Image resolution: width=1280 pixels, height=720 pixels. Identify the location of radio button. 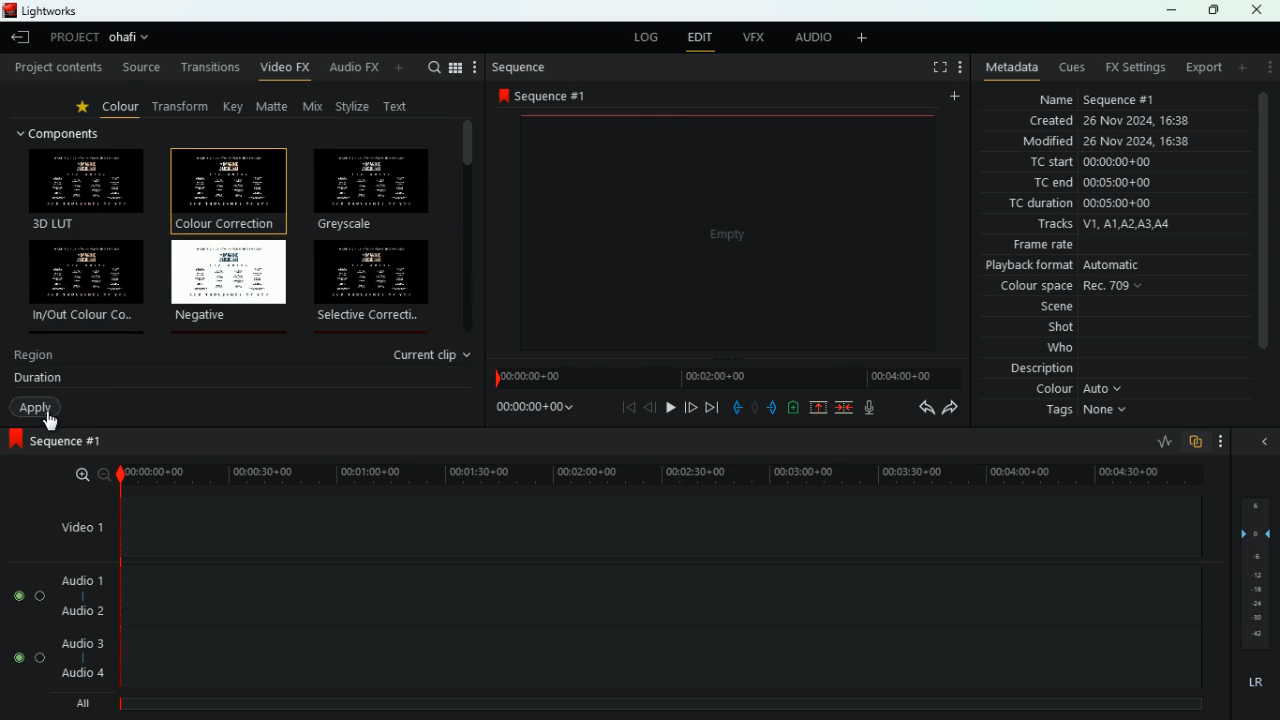
(27, 627).